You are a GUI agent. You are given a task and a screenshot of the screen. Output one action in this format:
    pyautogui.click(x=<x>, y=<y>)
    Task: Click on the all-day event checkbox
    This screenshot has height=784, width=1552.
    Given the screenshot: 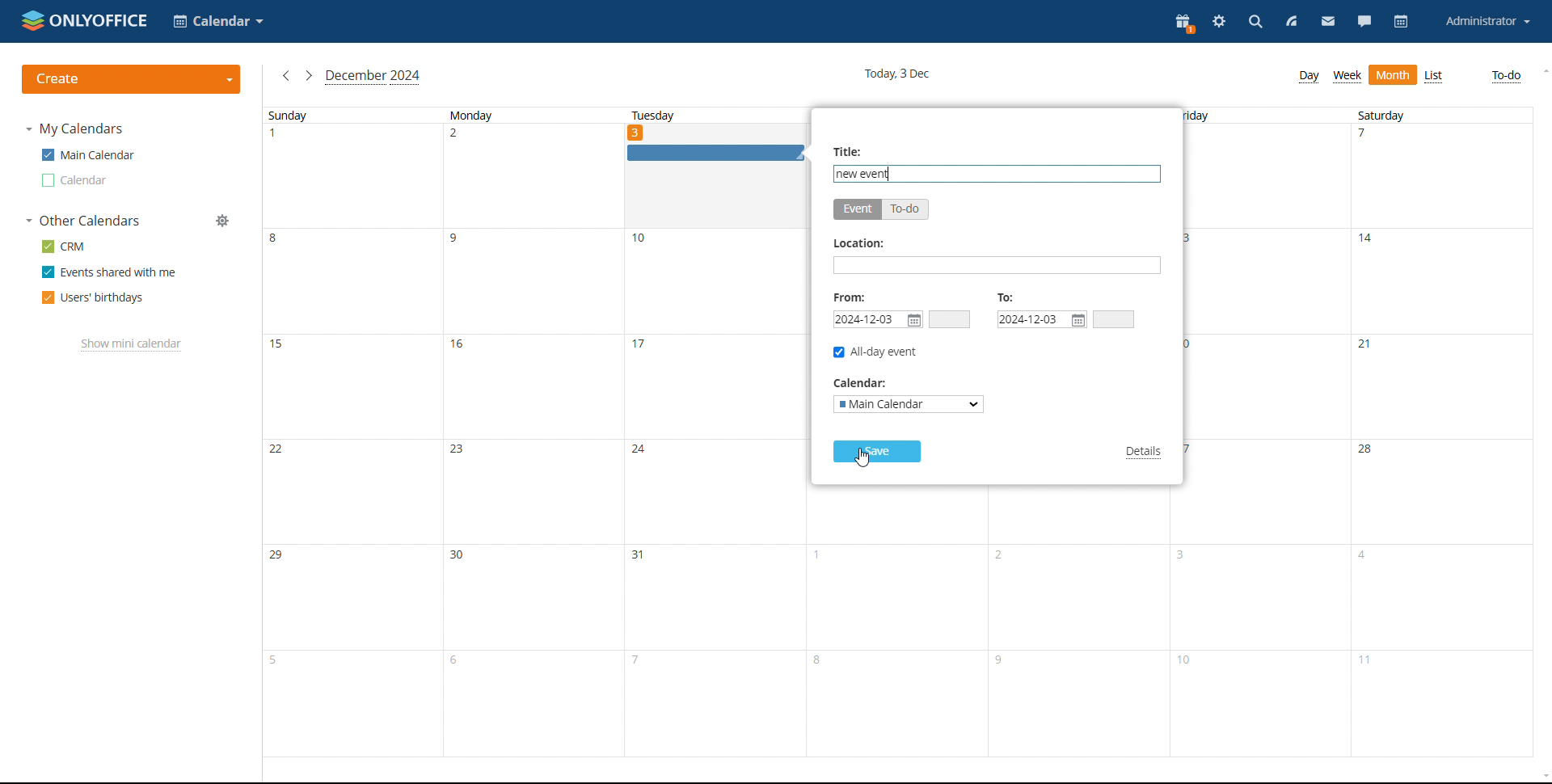 What is the action you would take?
    pyautogui.click(x=875, y=352)
    